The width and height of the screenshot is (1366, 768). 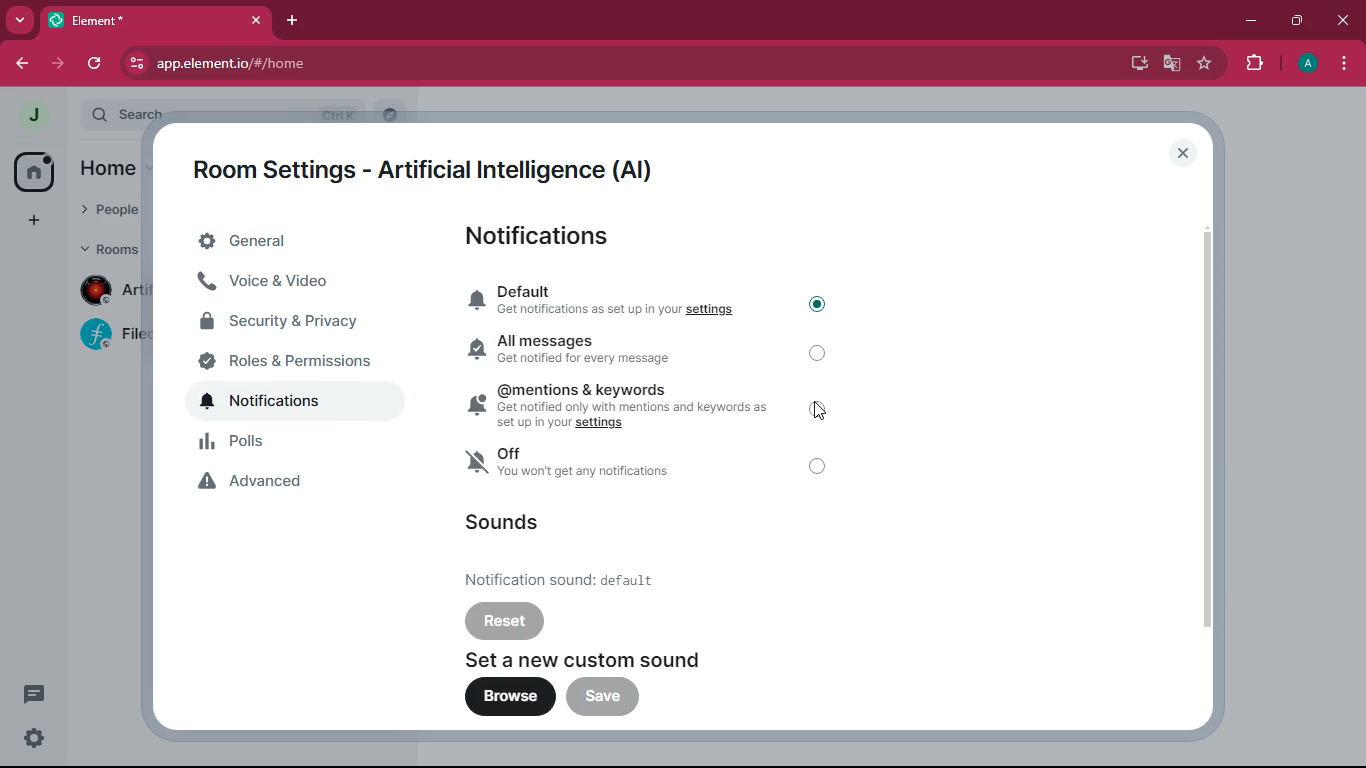 What do you see at coordinates (621, 404) in the screenshot?
I see `mentions and keywords` at bounding box center [621, 404].